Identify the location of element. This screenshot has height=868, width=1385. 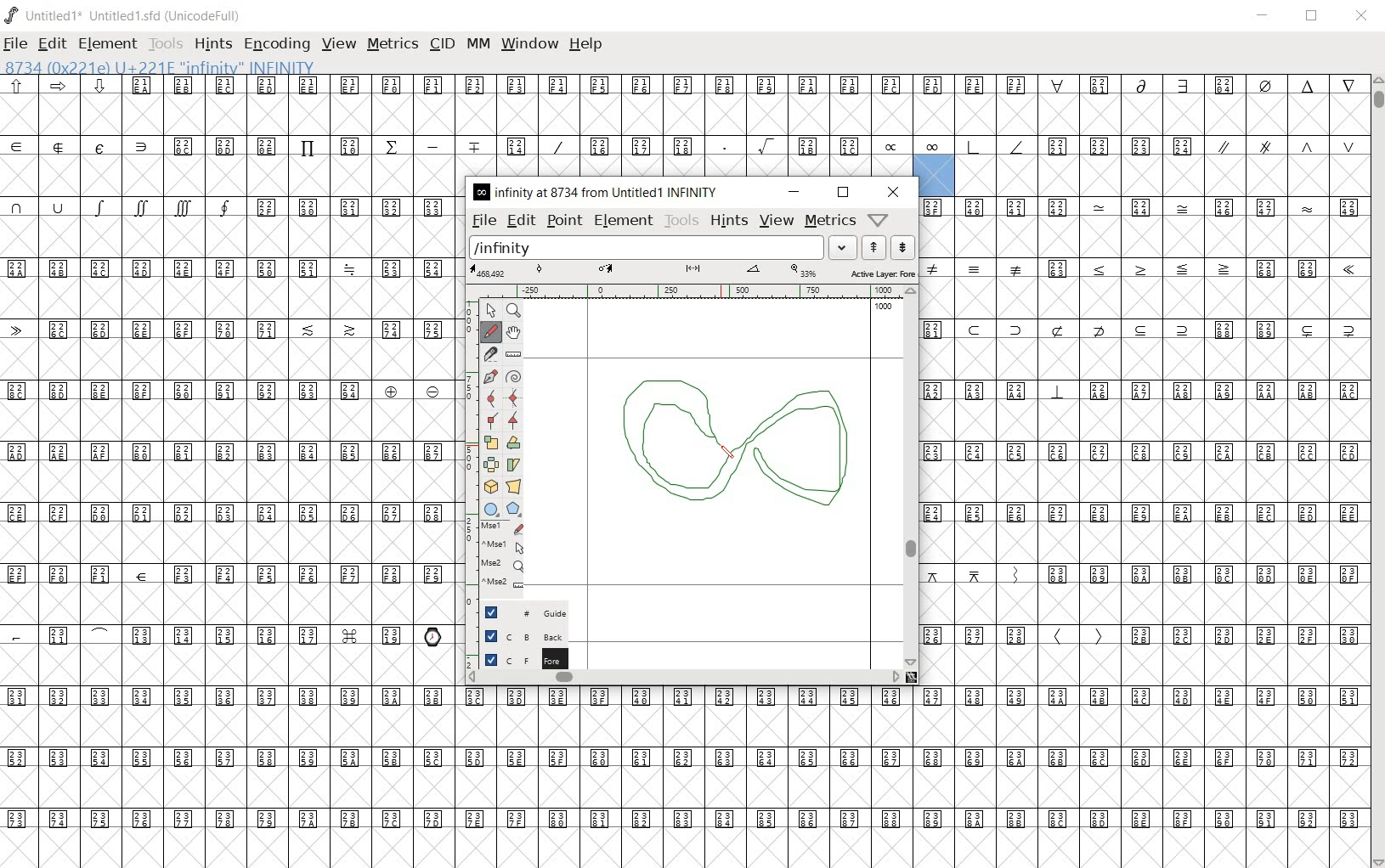
(109, 43).